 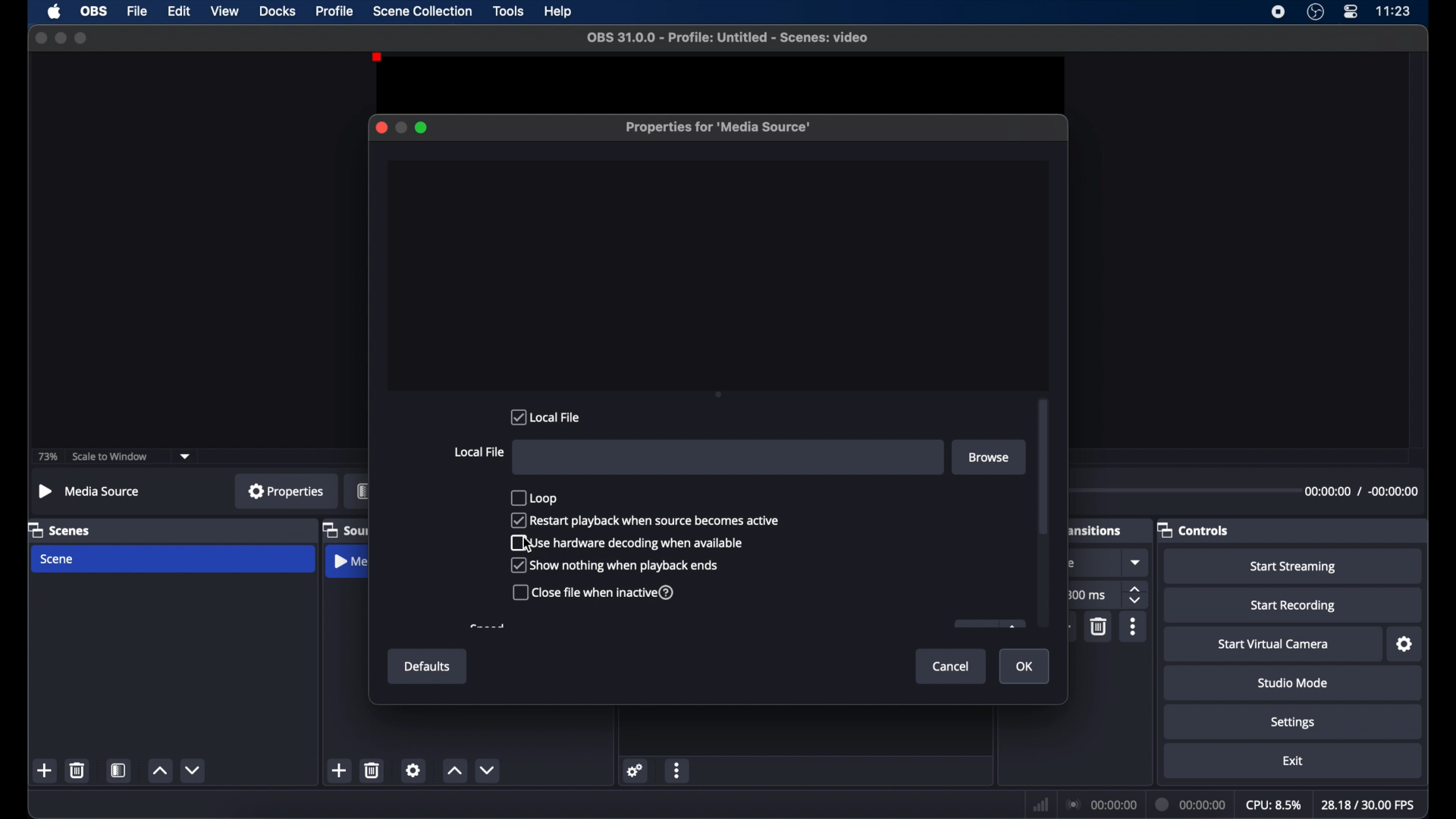 I want to click on no source selected, so click(x=90, y=491).